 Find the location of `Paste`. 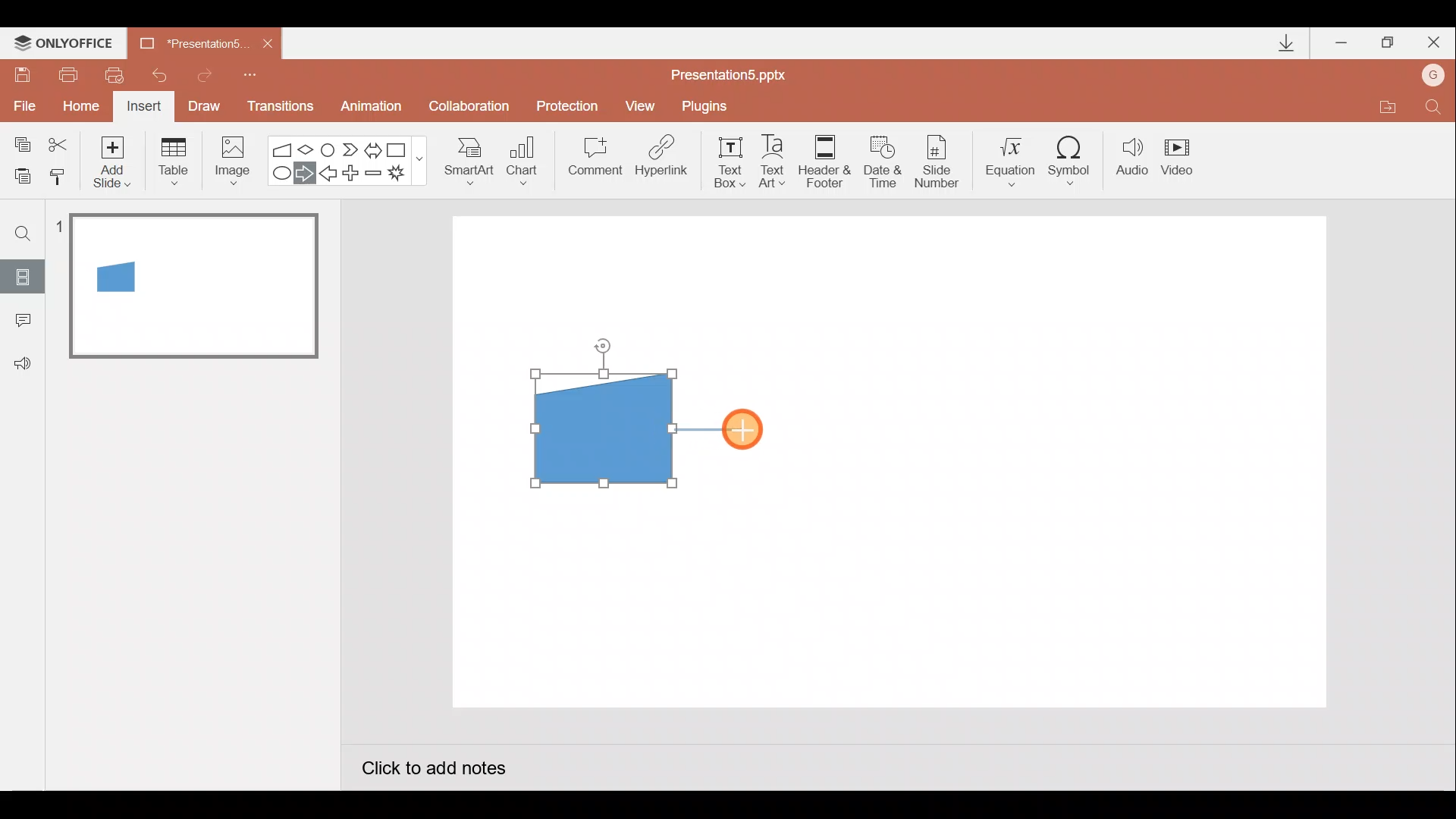

Paste is located at coordinates (18, 174).